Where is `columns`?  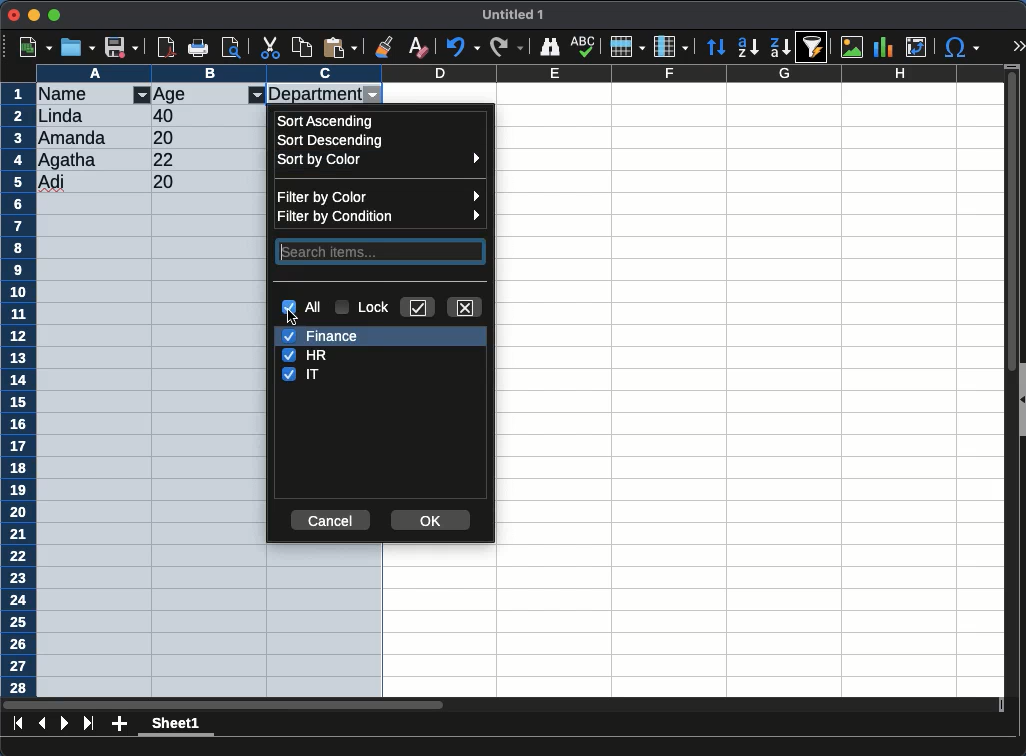
columns is located at coordinates (671, 45).